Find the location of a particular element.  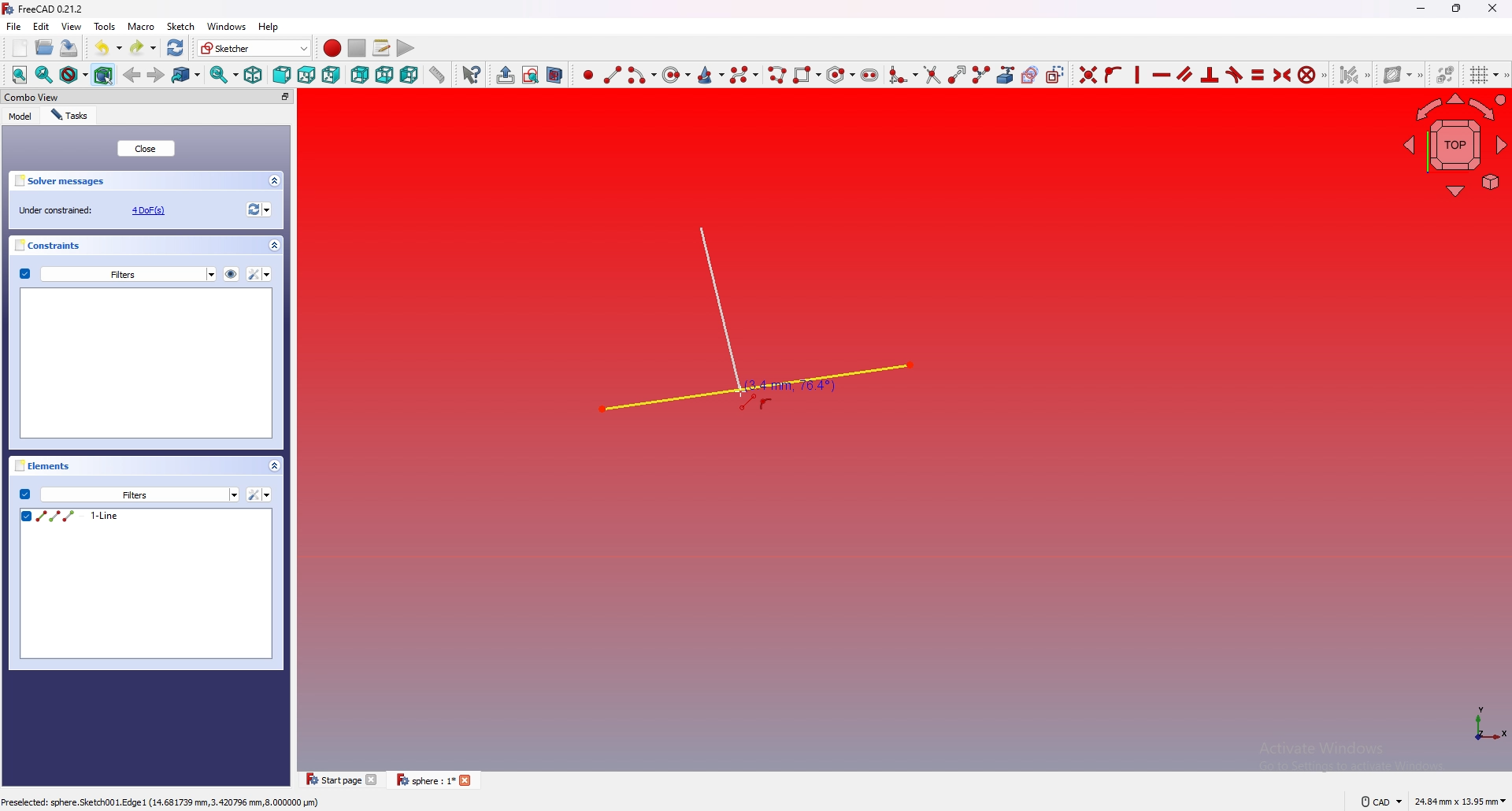

Create slot is located at coordinates (871, 73).